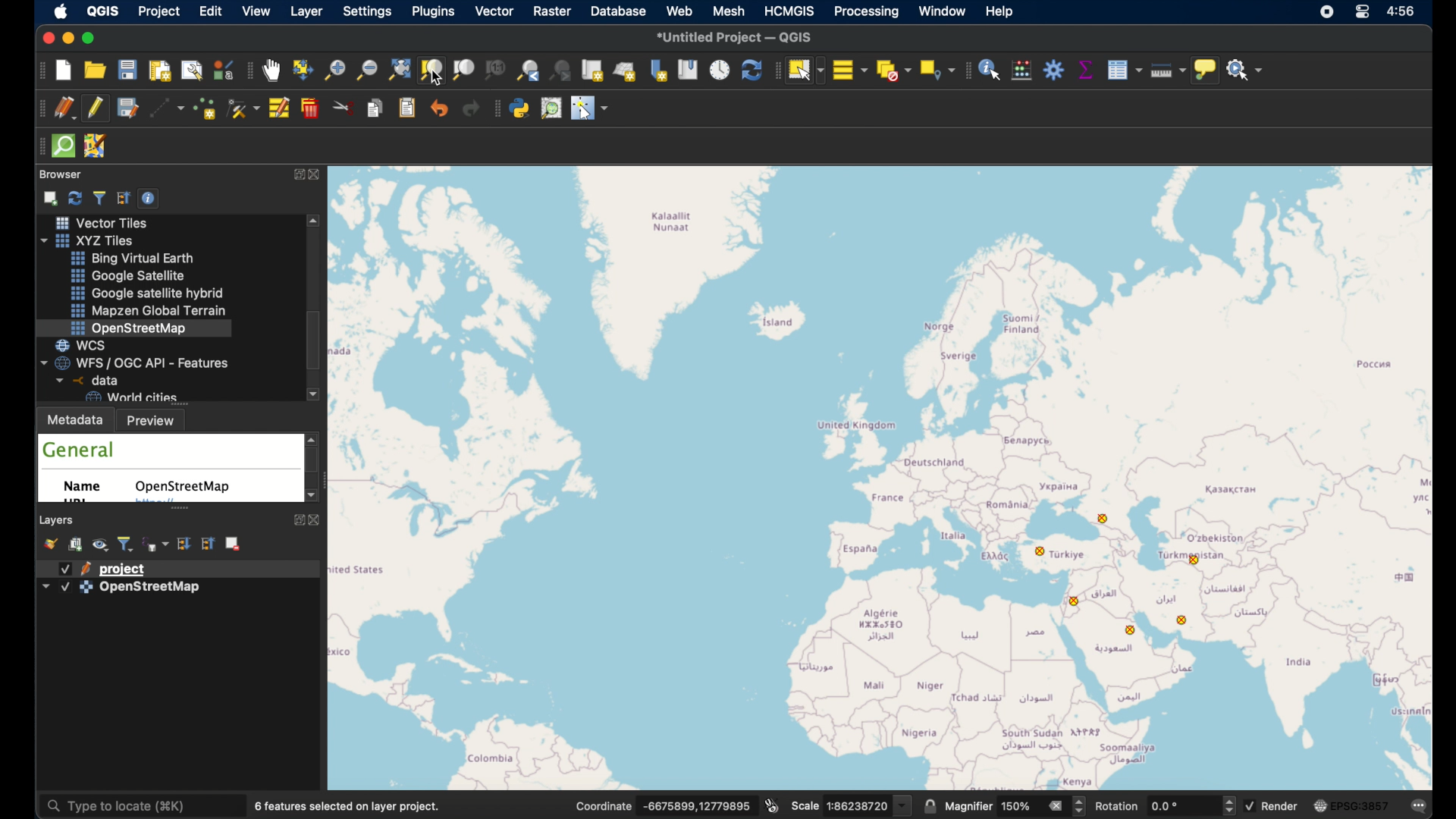  Describe the element at coordinates (39, 146) in the screenshot. I see `drag handle` at that location.